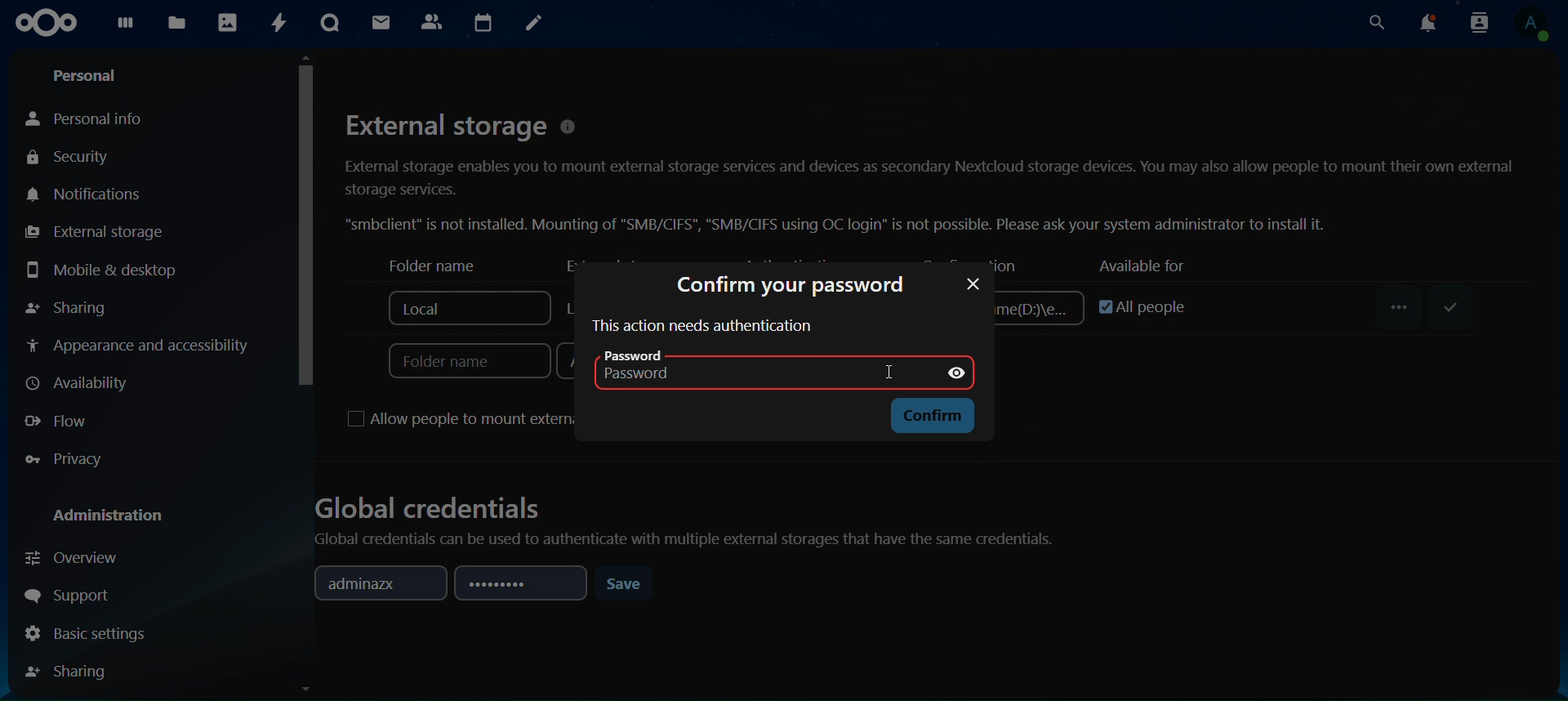  What do you see at coordinates (88, 633) in the screenshot?
I see `basic settings` at bounding box center [88, 633].